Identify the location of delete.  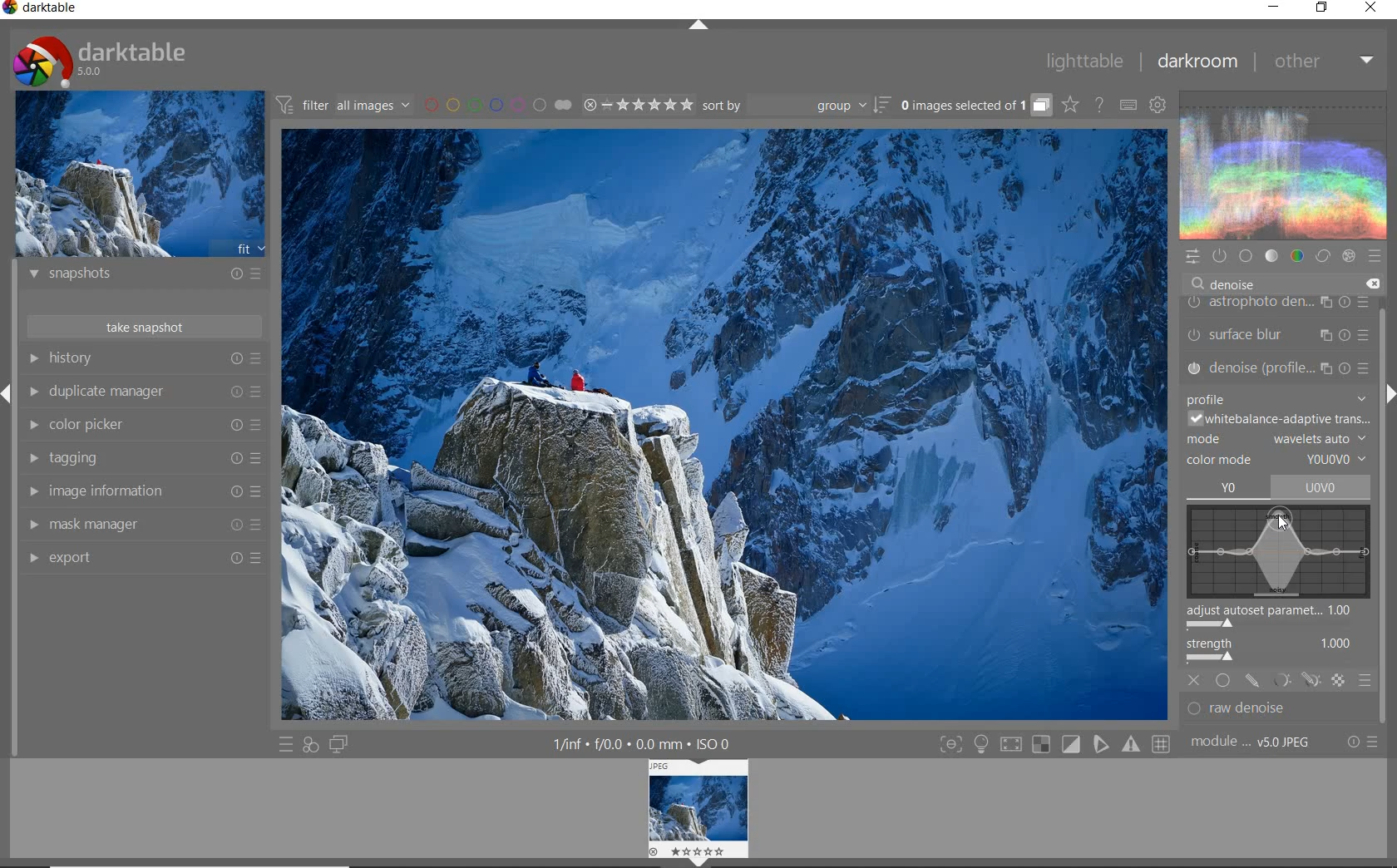
(1371, 284).